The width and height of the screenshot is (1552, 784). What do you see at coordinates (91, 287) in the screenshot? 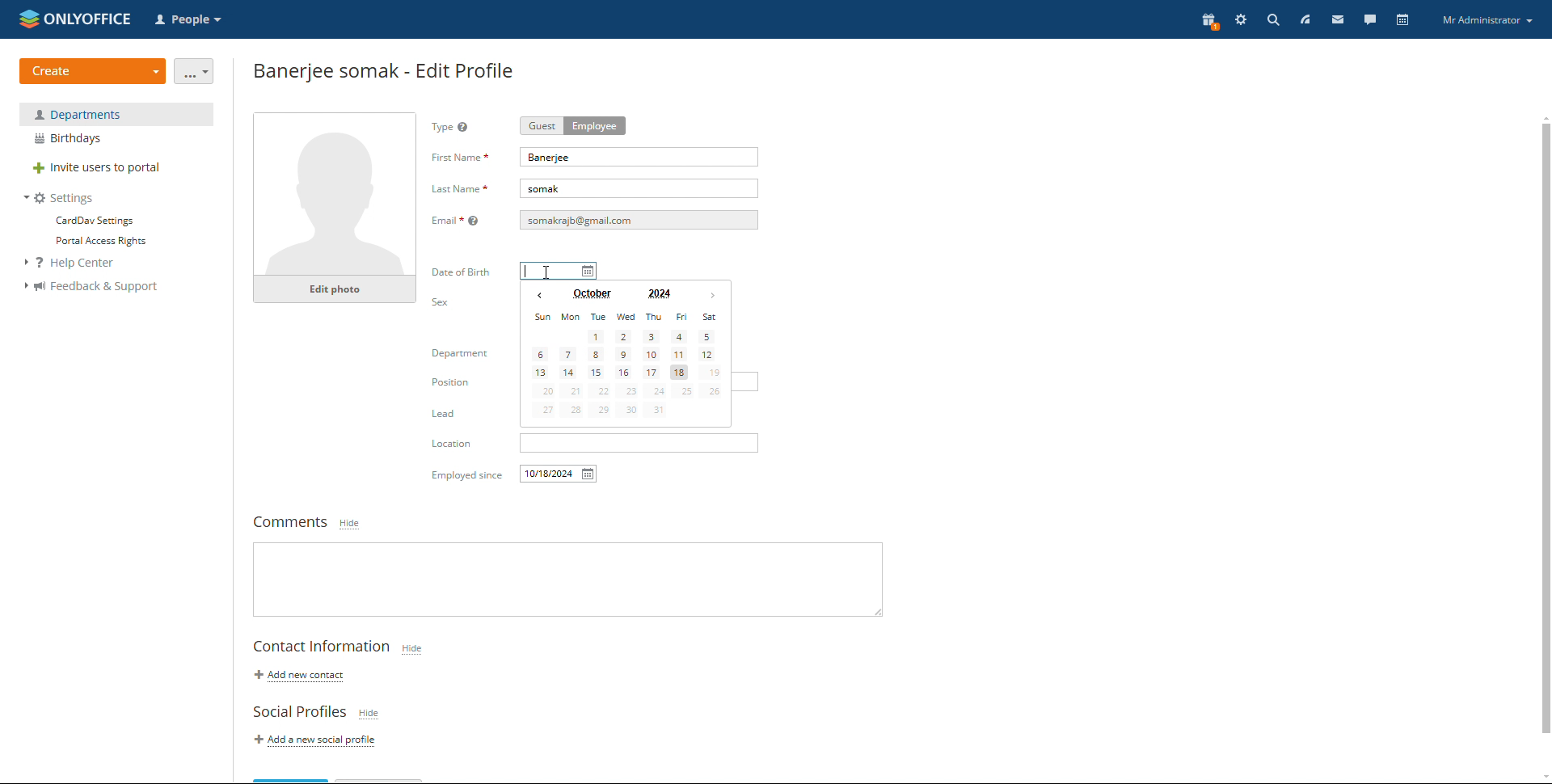
I see `feedback and support` at bounding box center [91, 287].